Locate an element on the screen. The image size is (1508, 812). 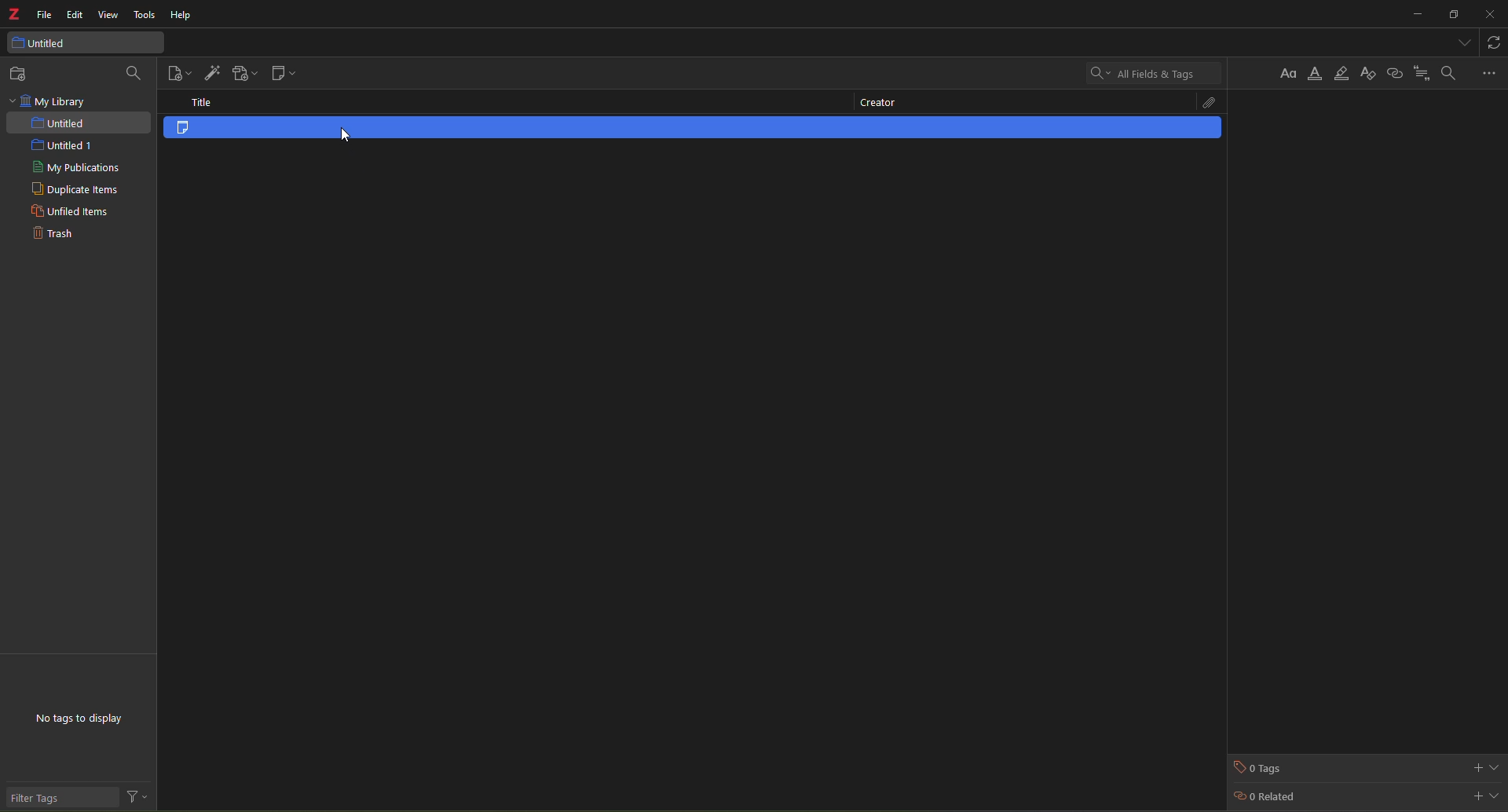
no tags to display is located at coordinates (82, 720).